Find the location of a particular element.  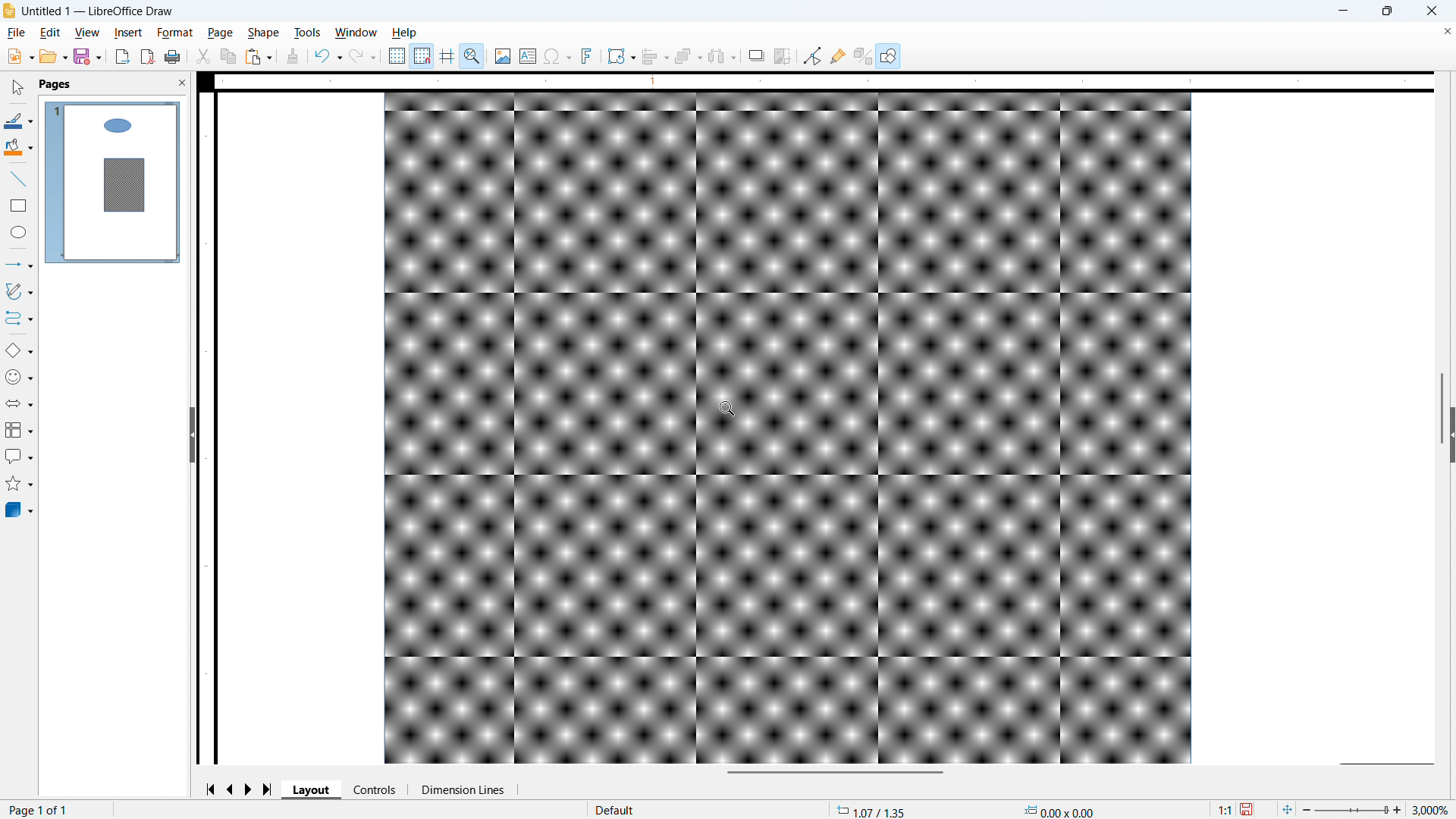

Insert image  is located at coordinates (503, 55).